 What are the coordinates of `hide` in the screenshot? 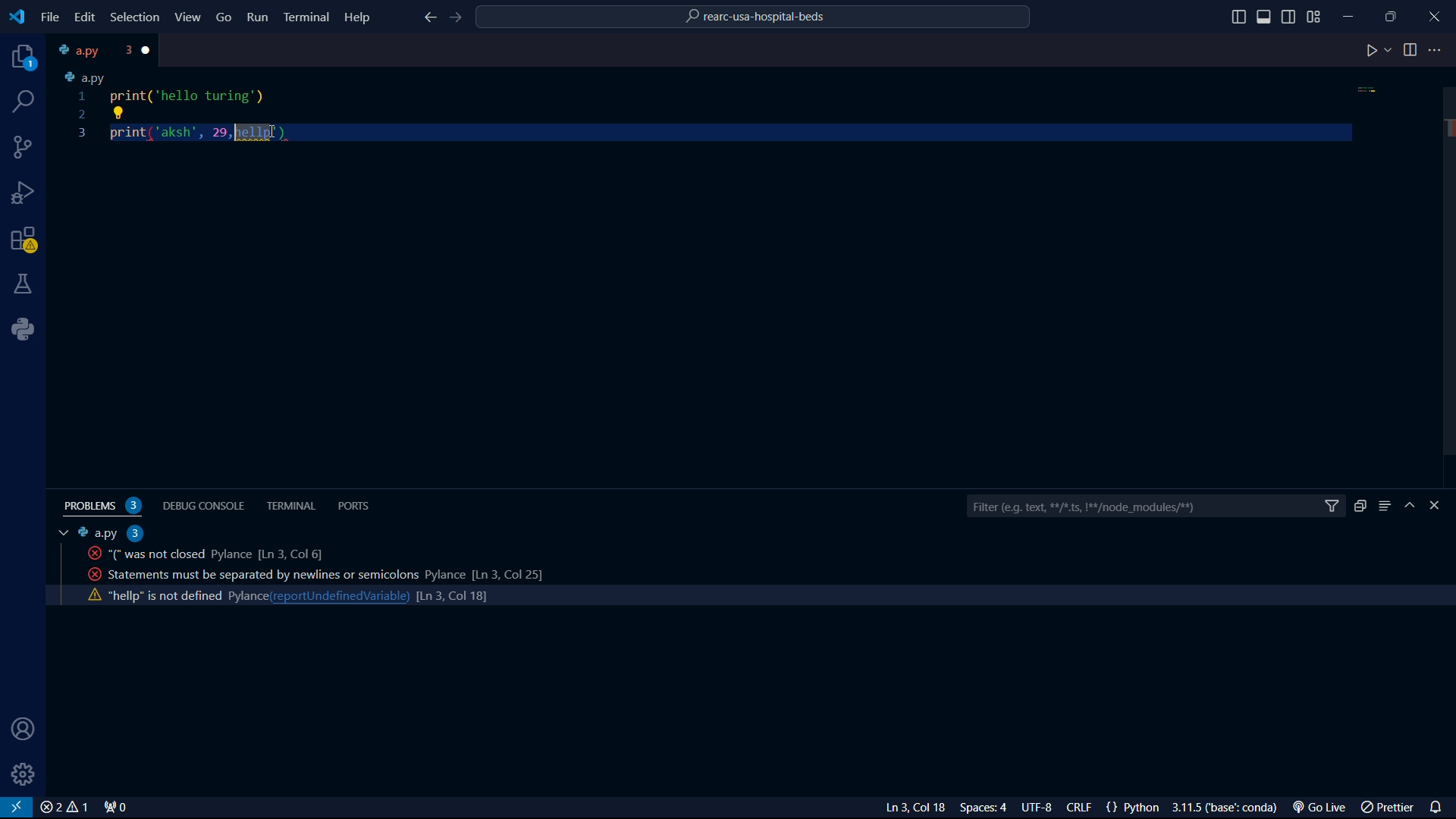 It's located at (1412, 507).